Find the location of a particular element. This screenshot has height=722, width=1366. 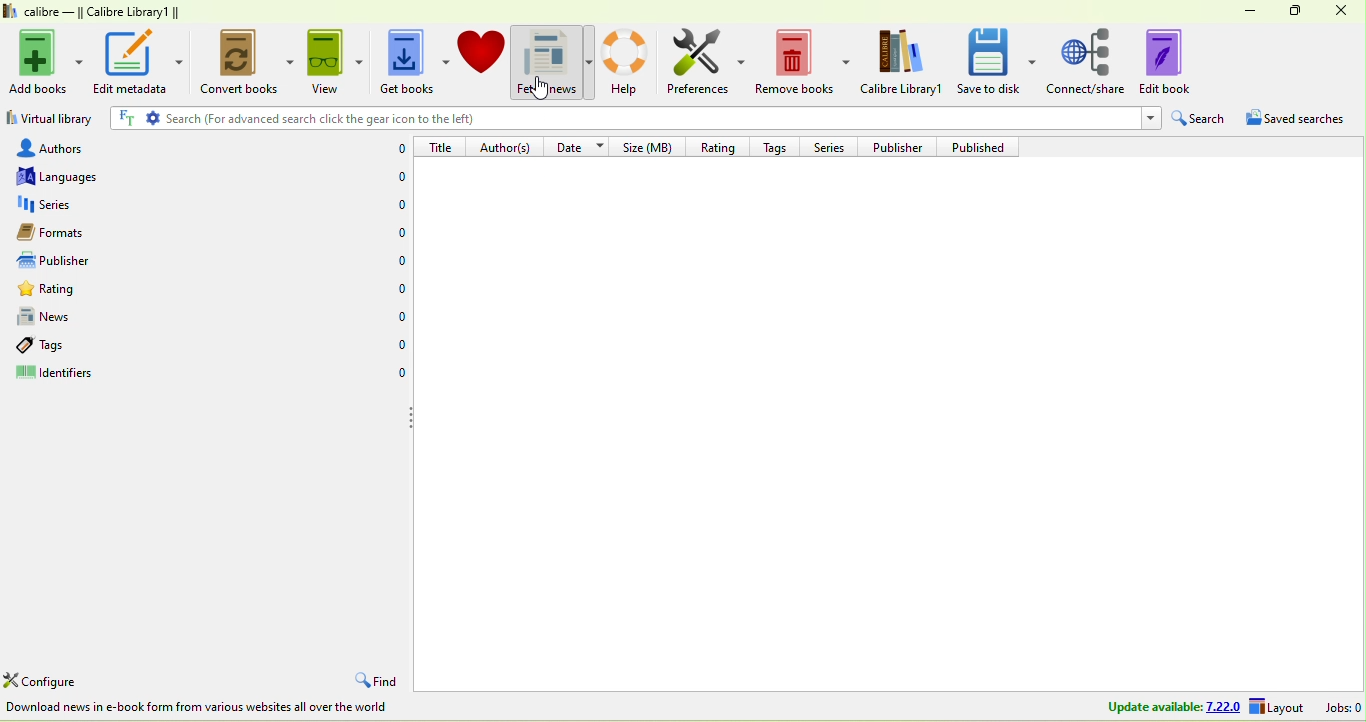

search {for advanced search click the gear icon to the left] is located at coordinates (618, 117).